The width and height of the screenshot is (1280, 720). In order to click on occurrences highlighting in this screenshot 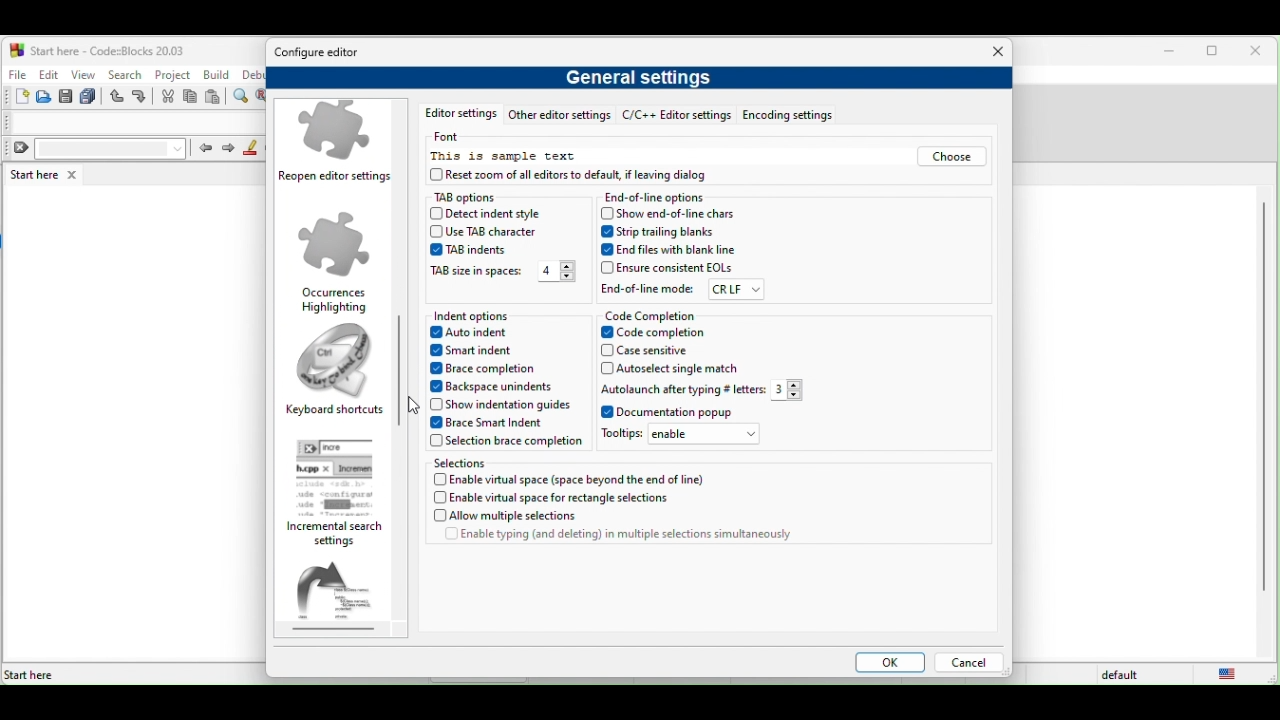, I will do `click(335, 261)`.